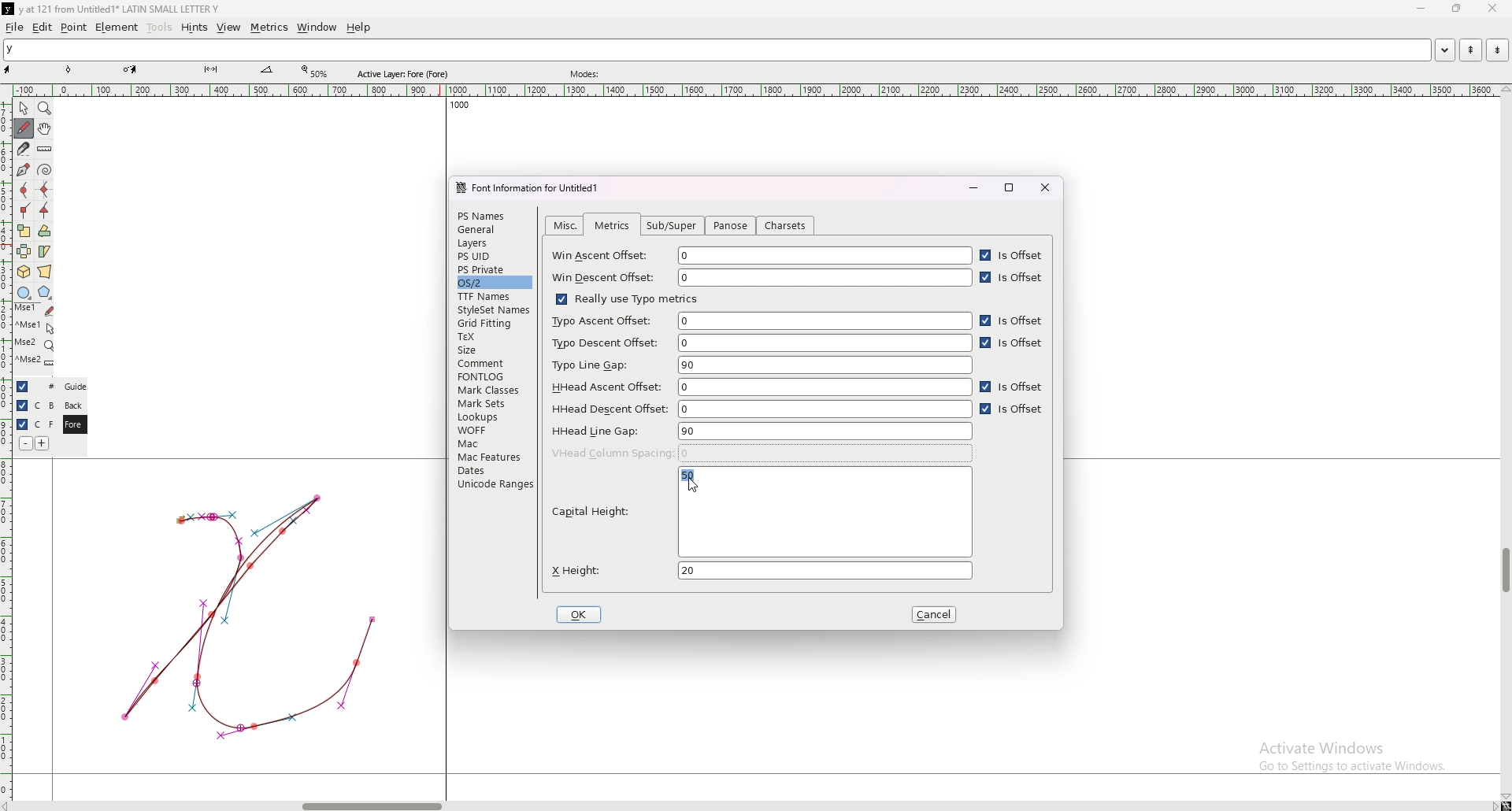  Describe the element at coordinates (1469, 50) in the screenshot. I see `previous word` at that location.